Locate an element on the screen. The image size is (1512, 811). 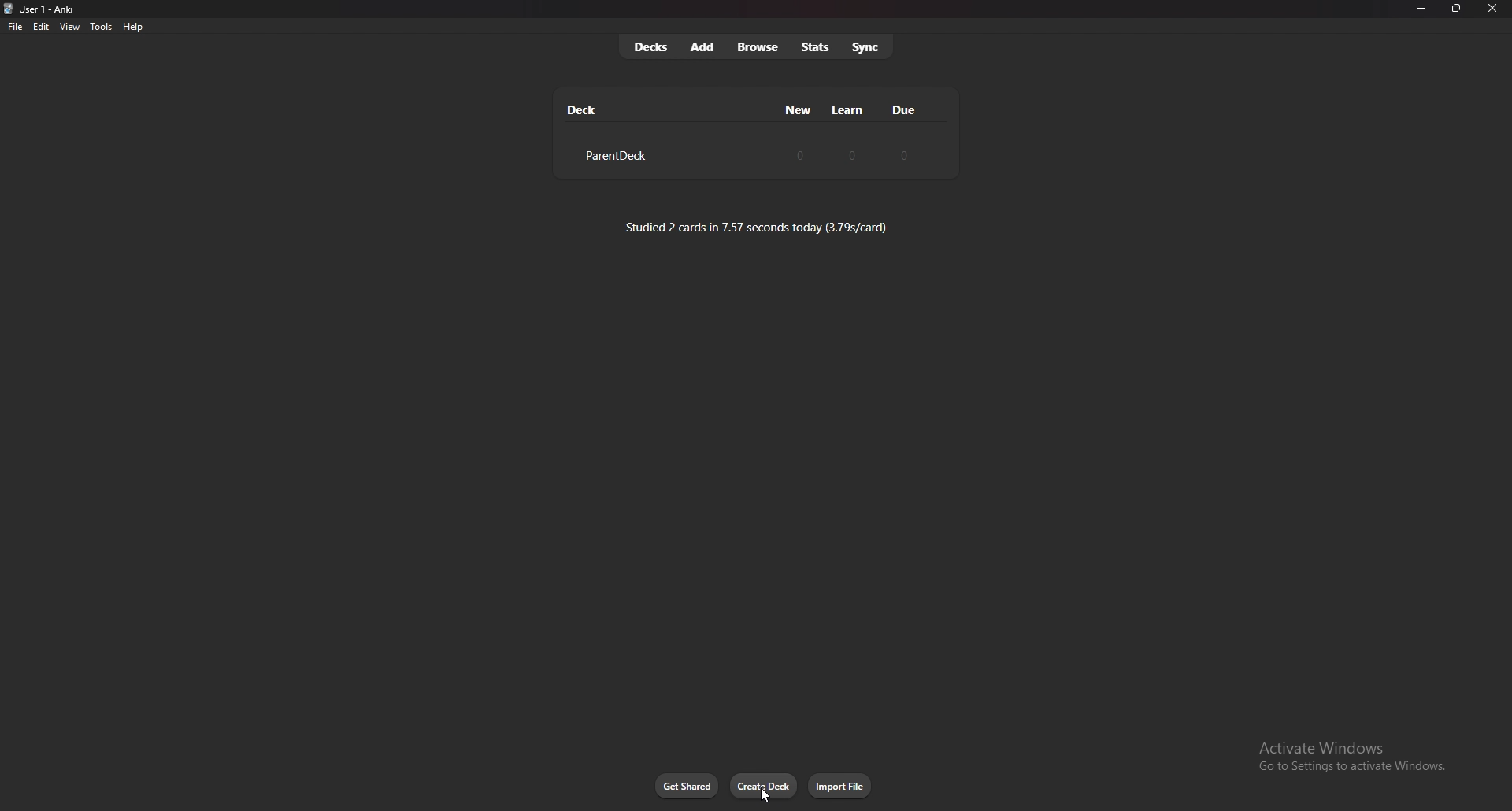
stats is located at coordinates (815, 47).